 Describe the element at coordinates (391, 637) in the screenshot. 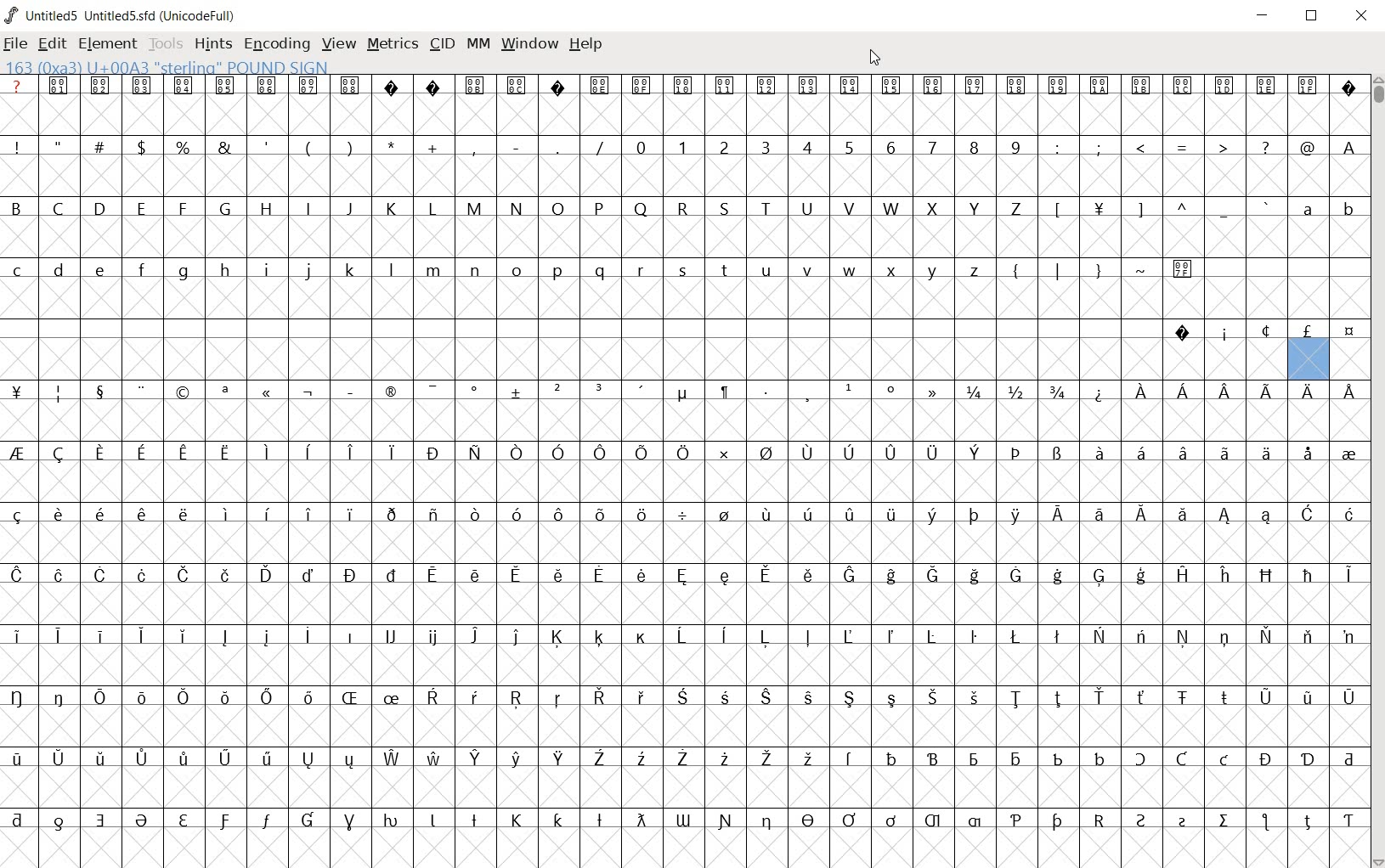

I see `Symbol` at that location.